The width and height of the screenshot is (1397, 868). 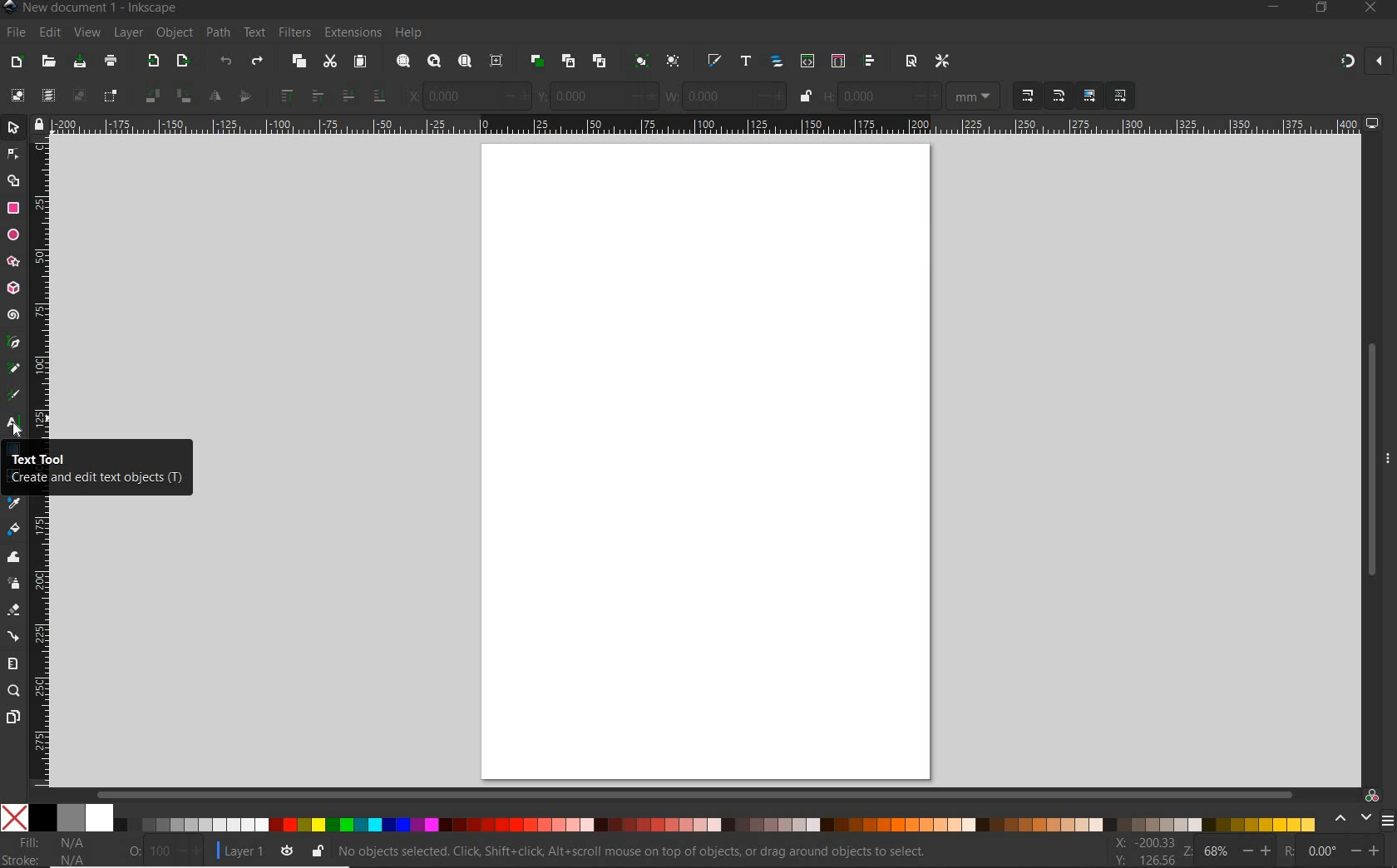 I want to click on zoom tool, so click(x=14, y=691).